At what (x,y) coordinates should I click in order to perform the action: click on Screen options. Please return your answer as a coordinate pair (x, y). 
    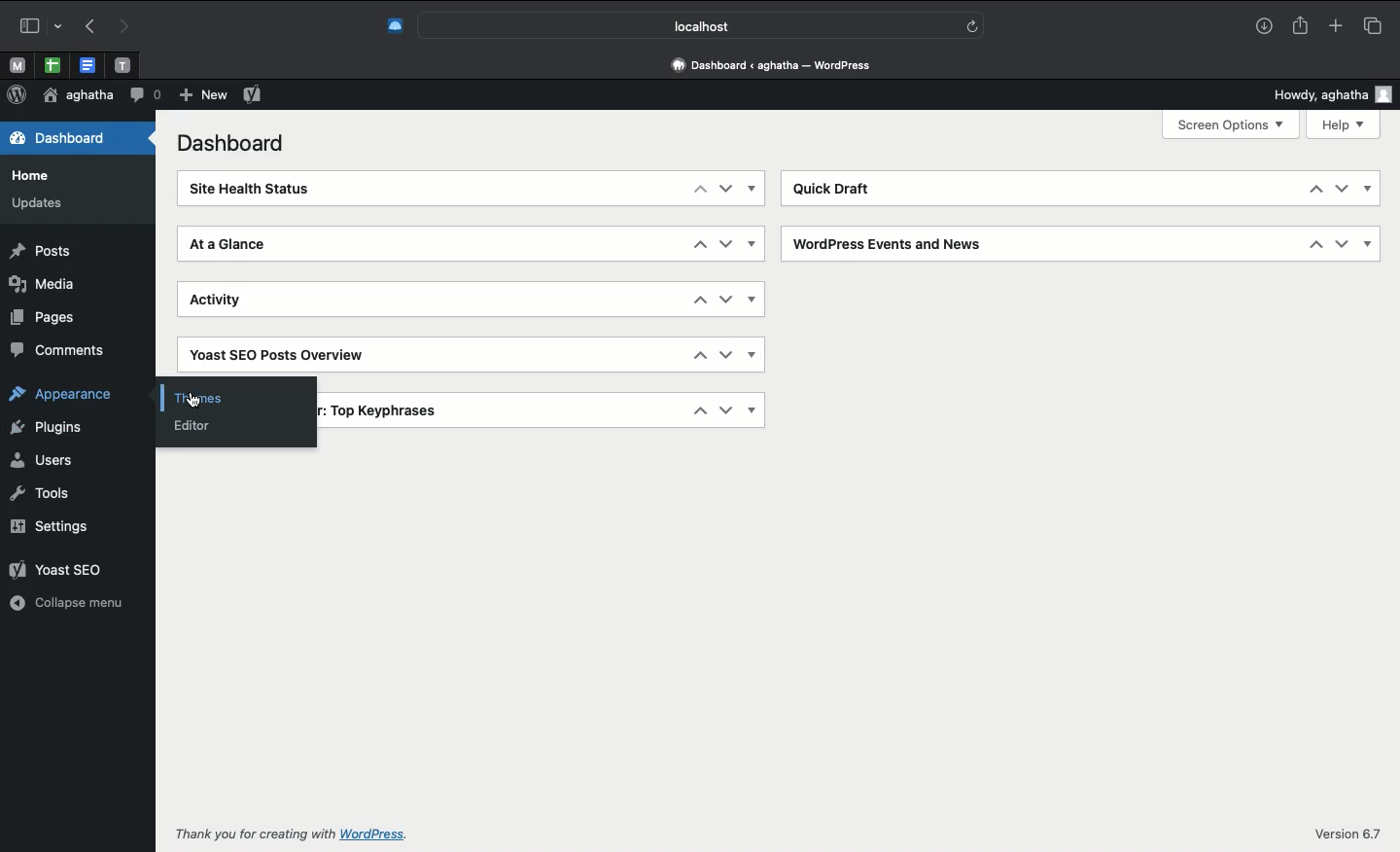
    Looking at the image, I should click on (1231, 124).